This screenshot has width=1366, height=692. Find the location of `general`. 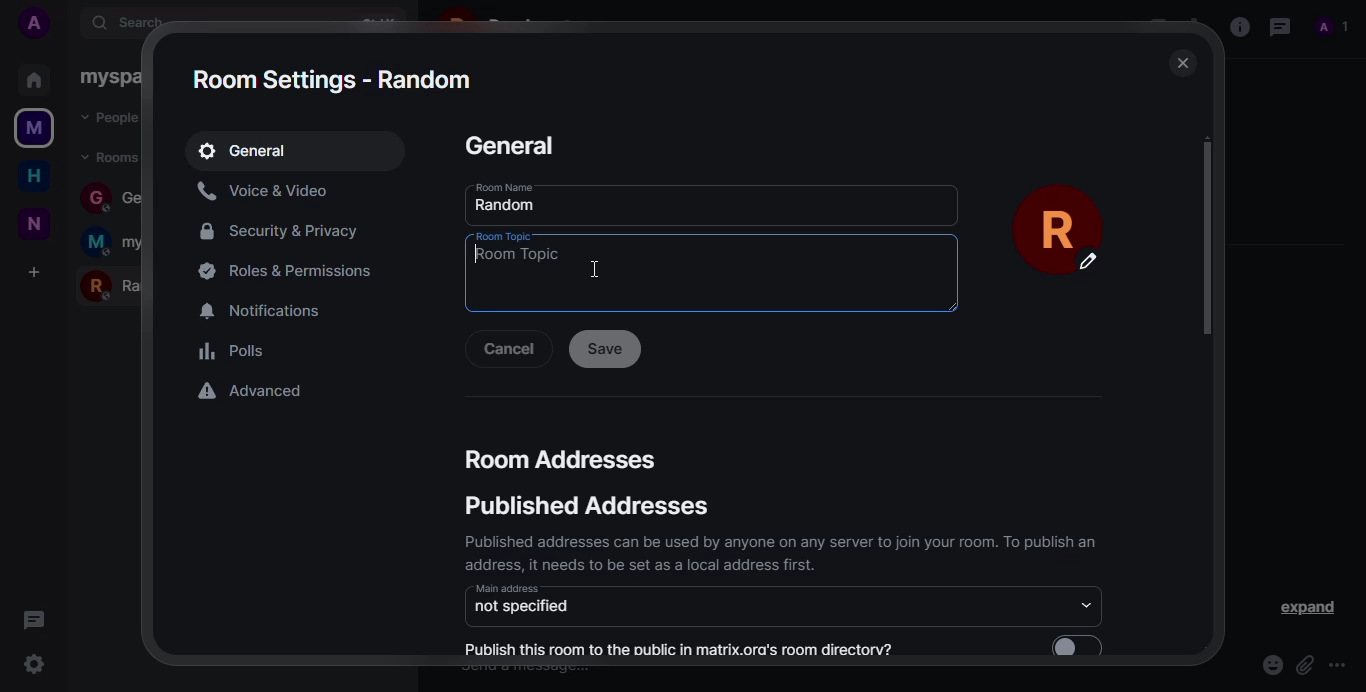

general is located at coordinates (107, 196).